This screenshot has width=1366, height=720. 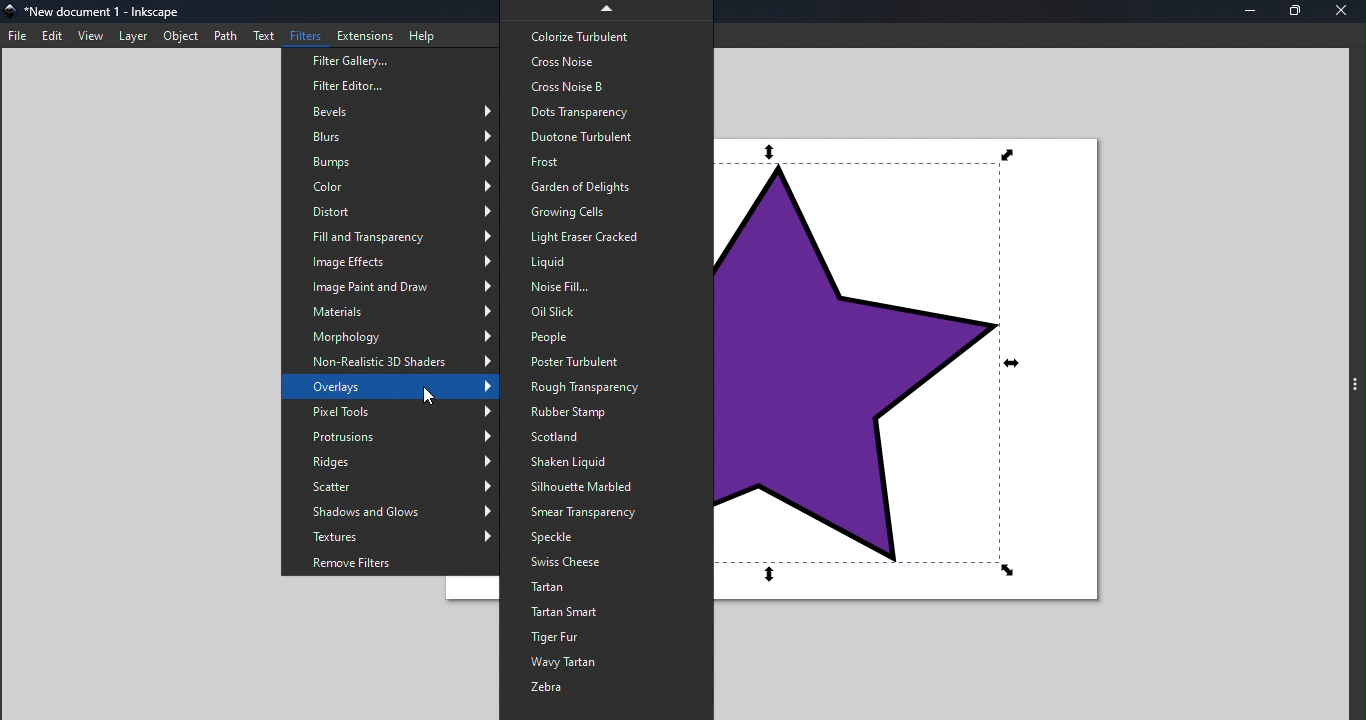 What do you see at coordinates (610, 462) in the screenshot?
I see `Shaken liquid` at bounding box center [610, 462].